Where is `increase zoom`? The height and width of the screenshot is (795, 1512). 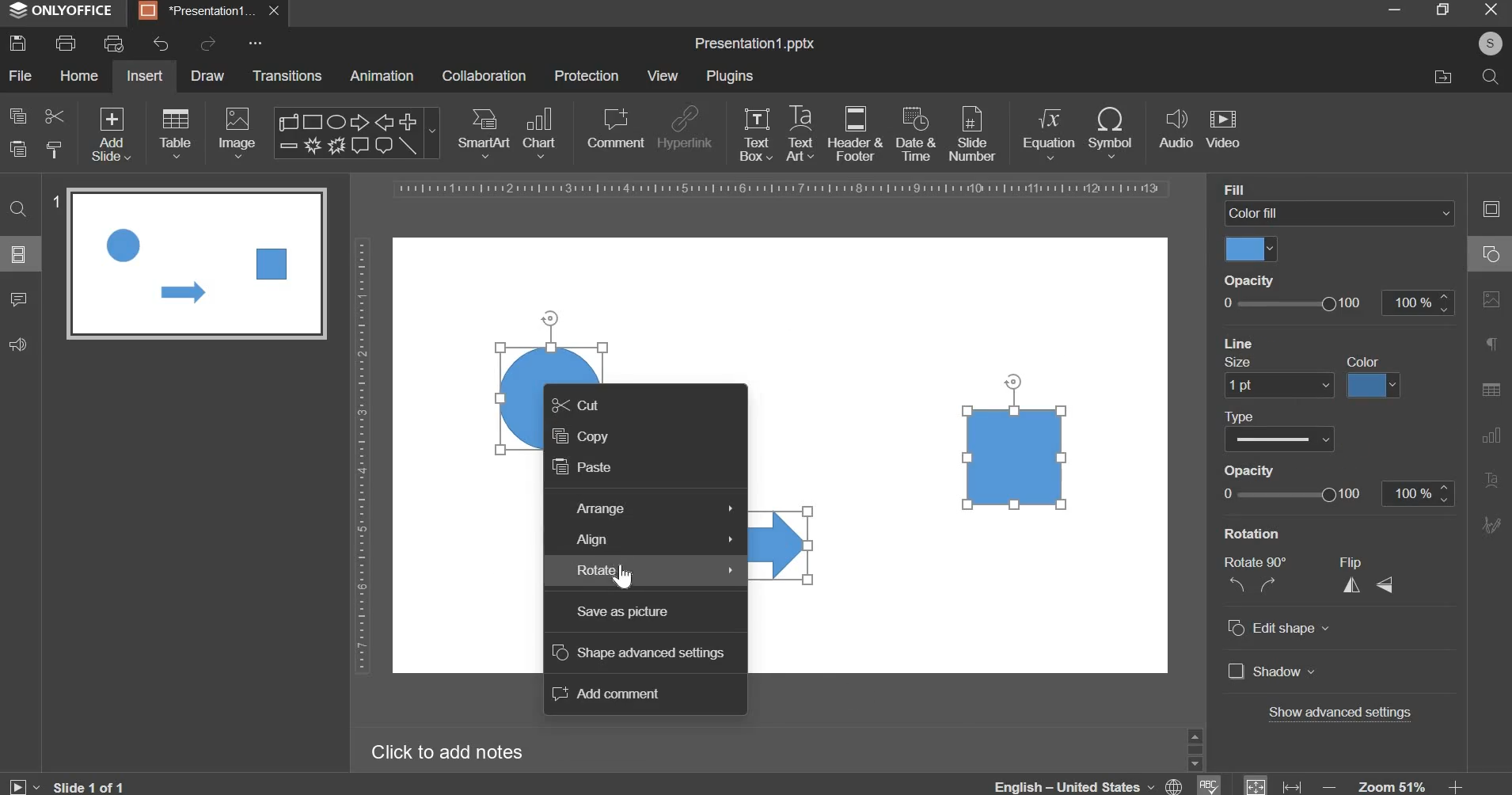
increase zoom is located at coordinates (1457, 785).